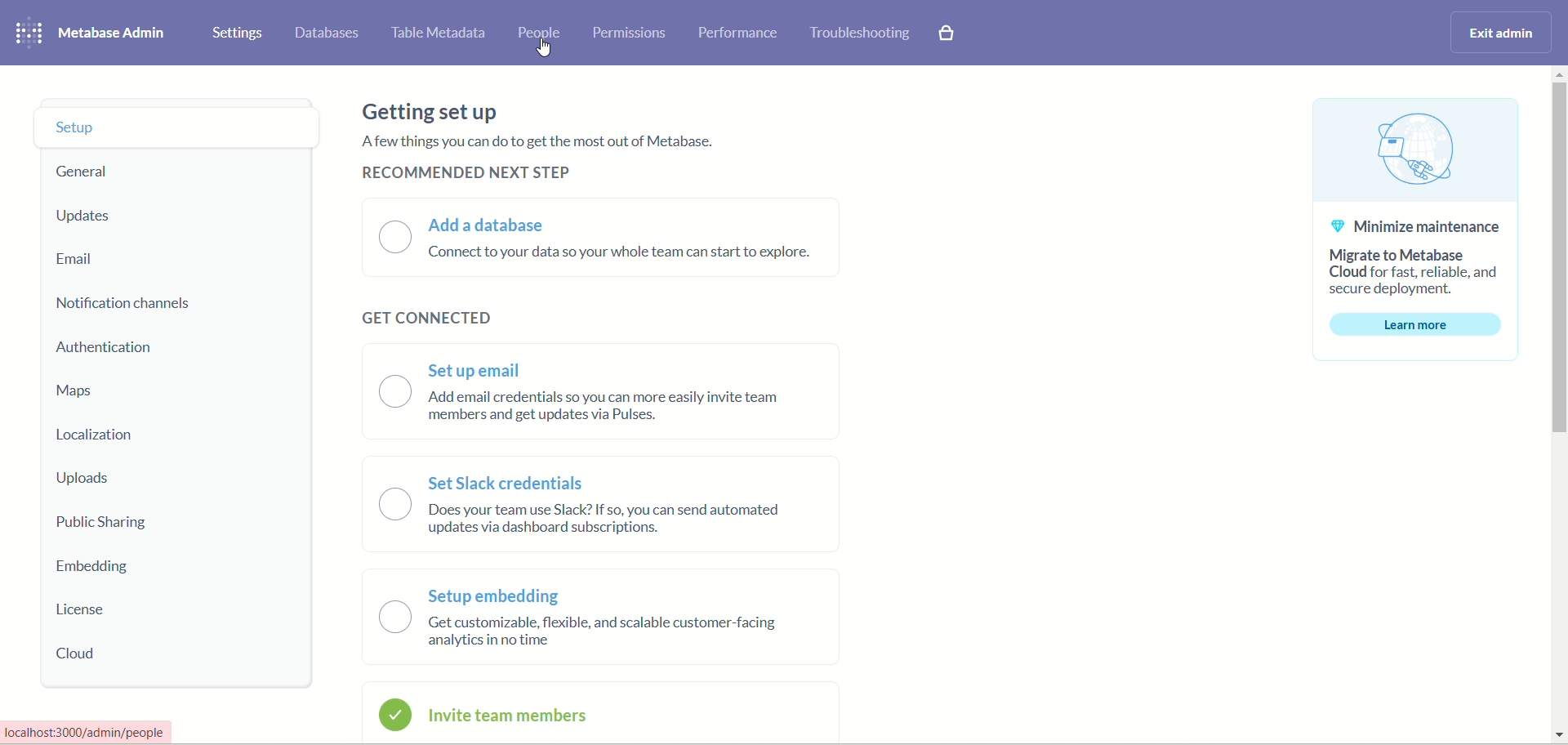 This screenshot has height=745, width=1568. Describe the element at coordinates (539, 45) in the screenshot. I see `Cursor` at that location.